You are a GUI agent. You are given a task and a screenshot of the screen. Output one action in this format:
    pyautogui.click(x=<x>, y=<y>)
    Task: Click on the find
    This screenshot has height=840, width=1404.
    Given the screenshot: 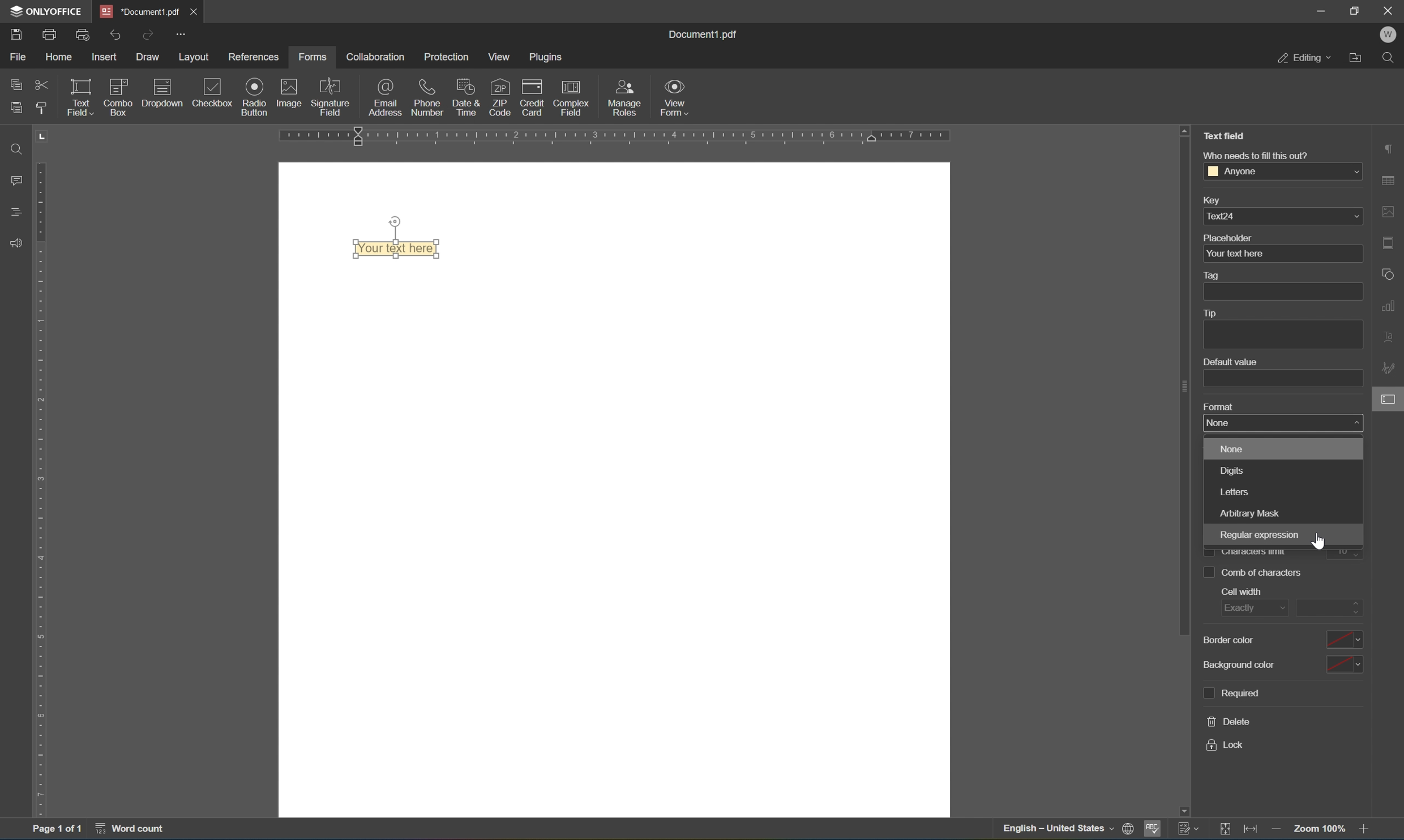 What is the action you would take?
    pyautogui.click(x=1392, y=58)
    